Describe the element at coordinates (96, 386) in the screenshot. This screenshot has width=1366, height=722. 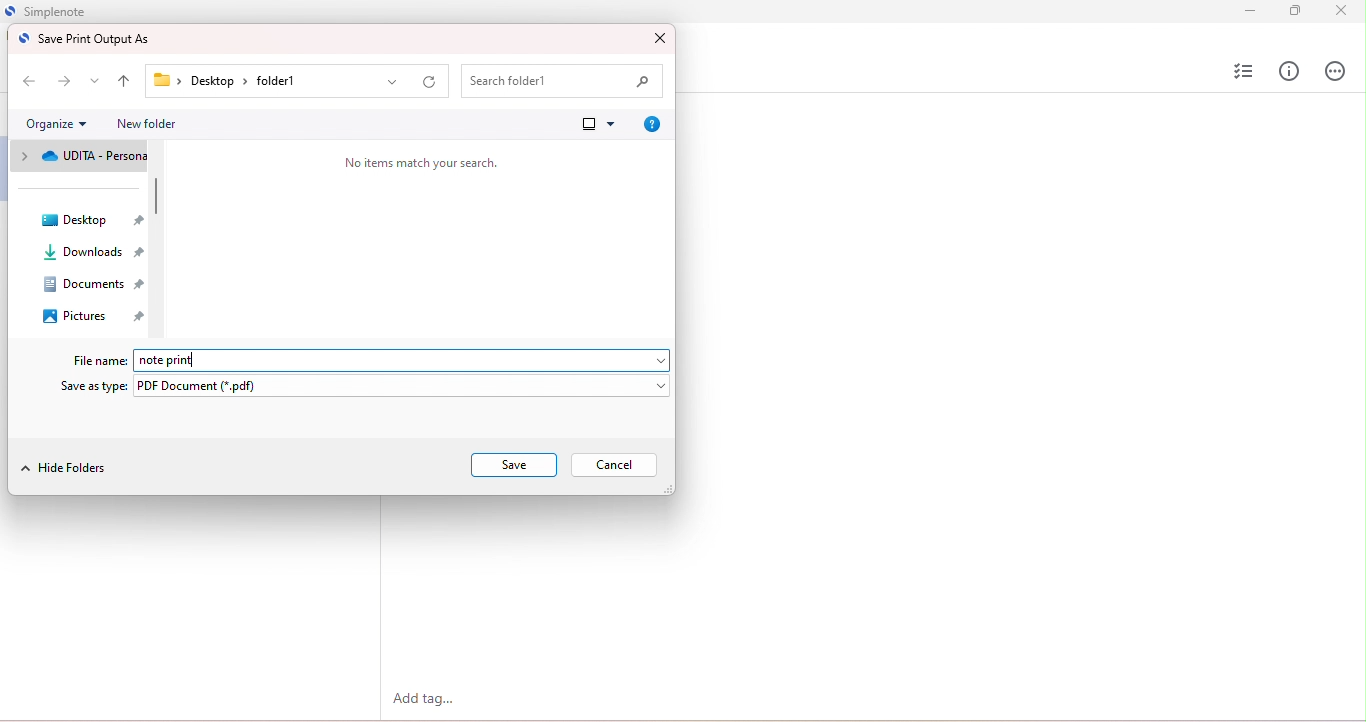
I see `save as type` at that location.